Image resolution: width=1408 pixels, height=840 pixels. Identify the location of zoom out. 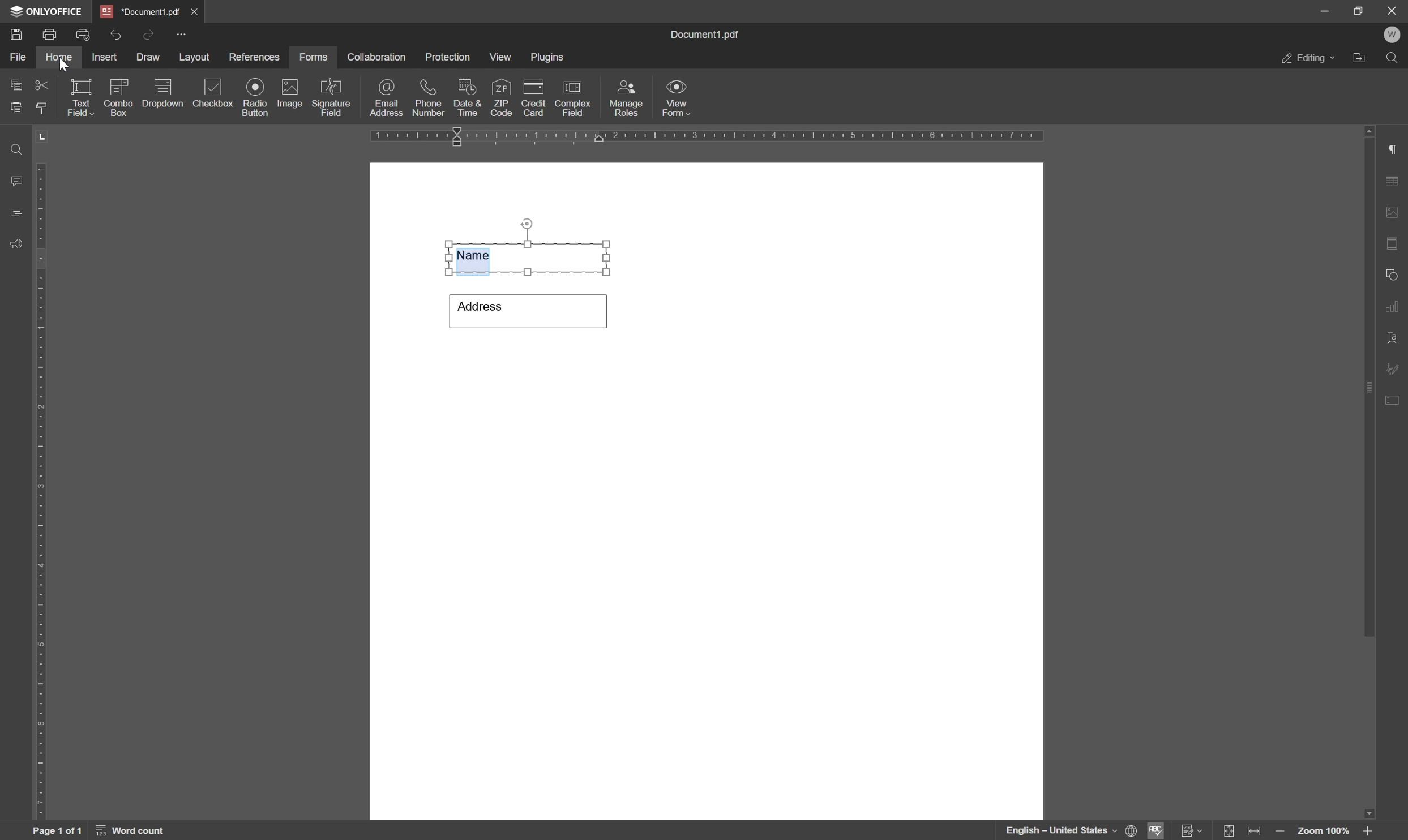
(1282, 832).